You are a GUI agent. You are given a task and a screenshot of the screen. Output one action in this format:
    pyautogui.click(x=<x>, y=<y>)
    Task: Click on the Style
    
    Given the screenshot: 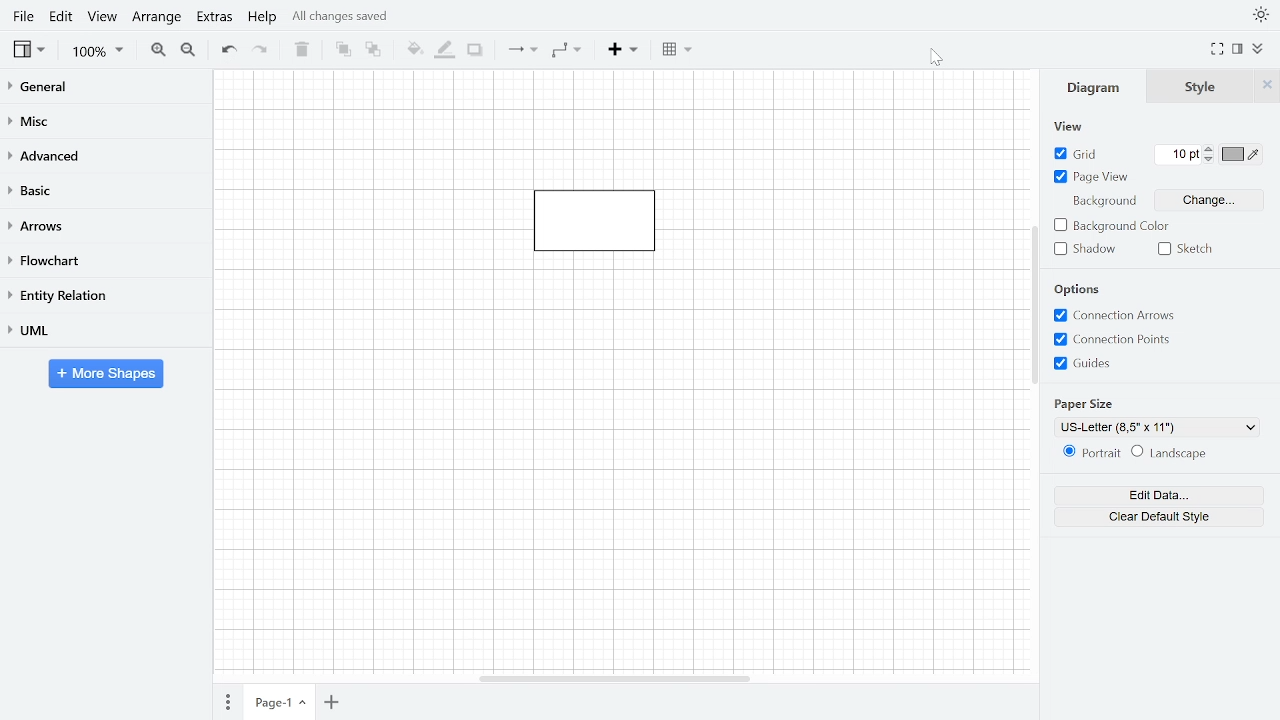 What is the action you would take?
    pyautogui.click(x=1199, y=86)
    